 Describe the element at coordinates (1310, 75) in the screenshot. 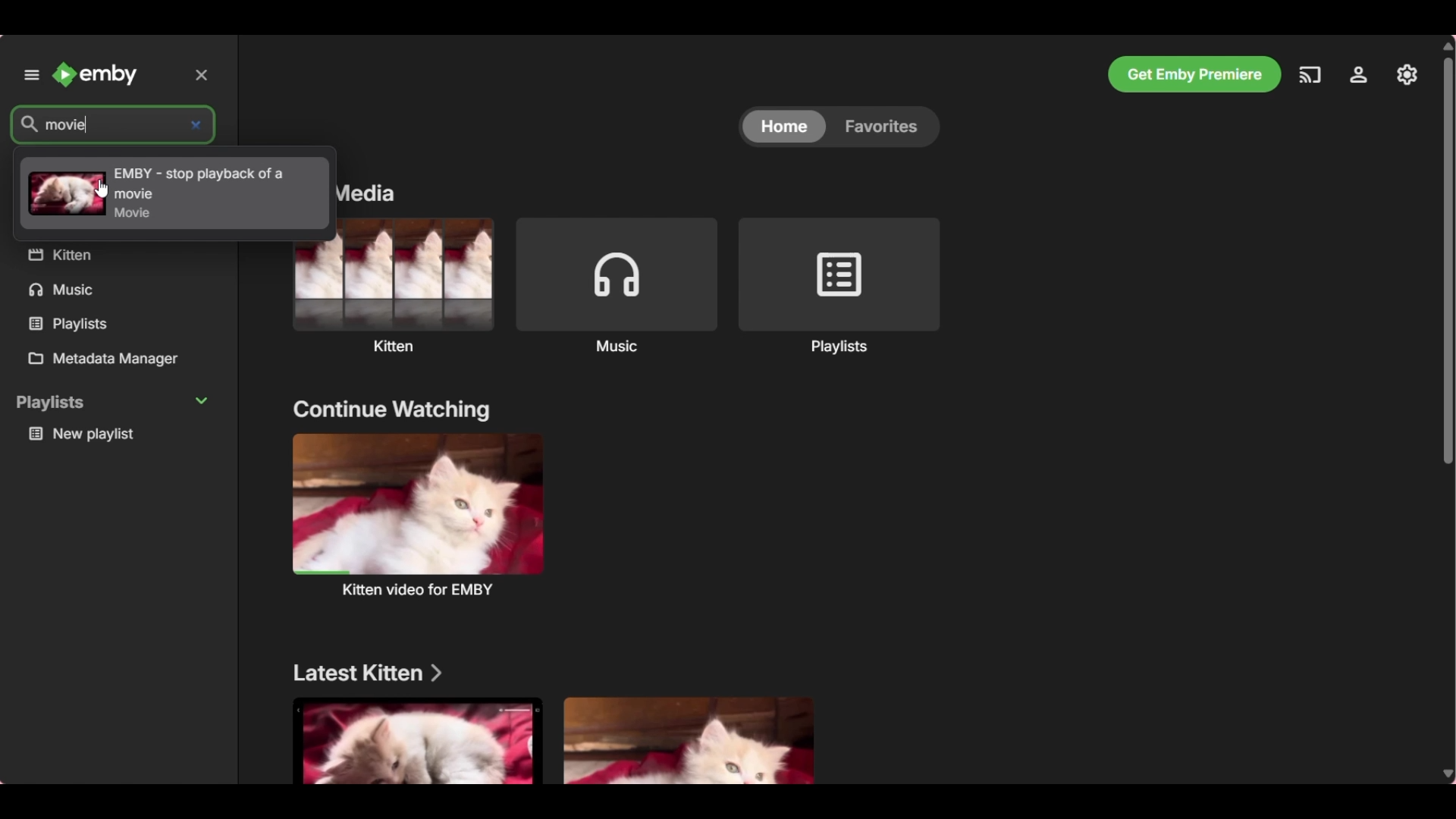

I see `Play on another device` at that location.